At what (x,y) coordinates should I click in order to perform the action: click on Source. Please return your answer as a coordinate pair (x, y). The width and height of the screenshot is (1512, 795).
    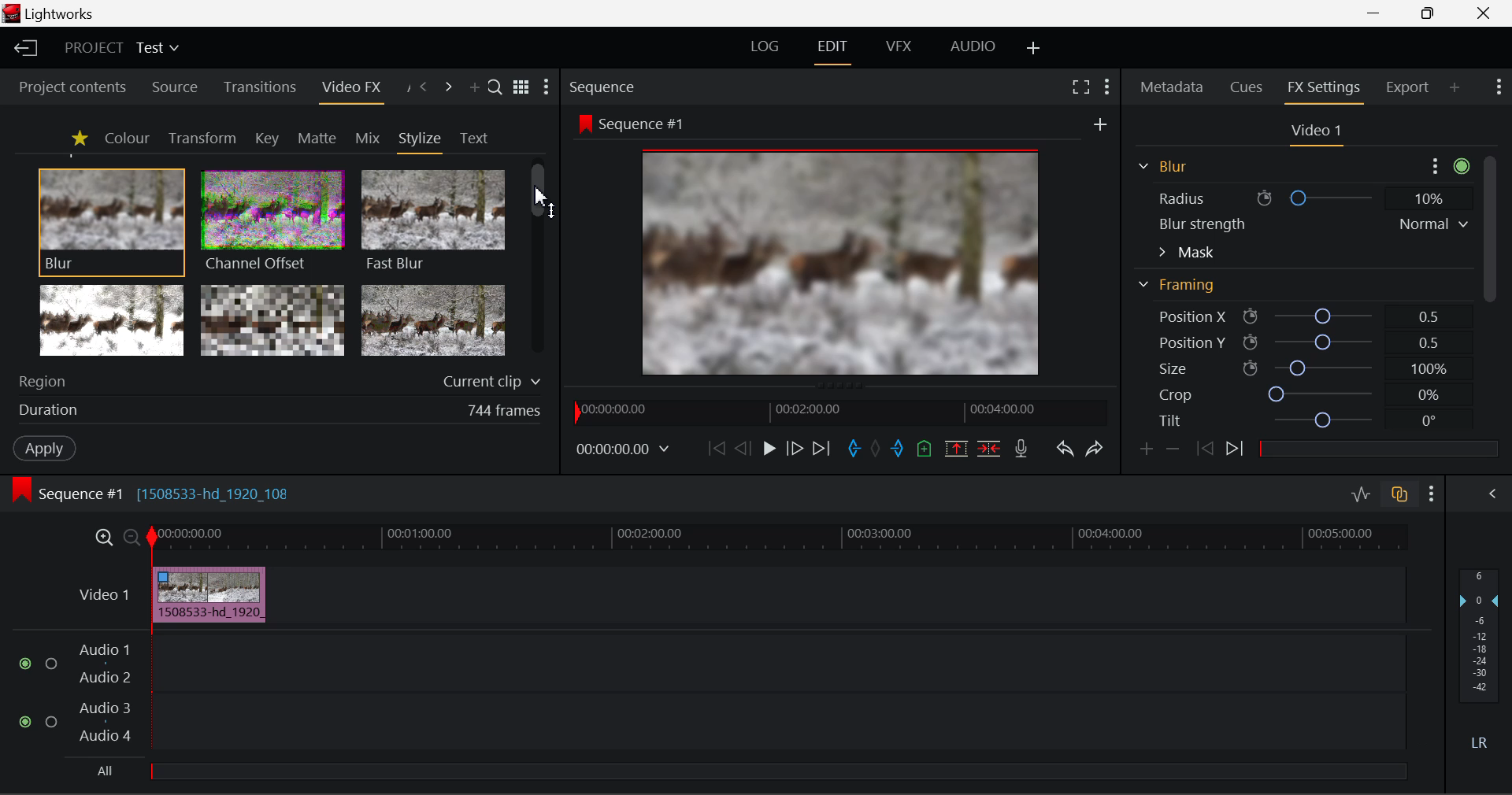
    Looking at the image, I should click on (172, 86).